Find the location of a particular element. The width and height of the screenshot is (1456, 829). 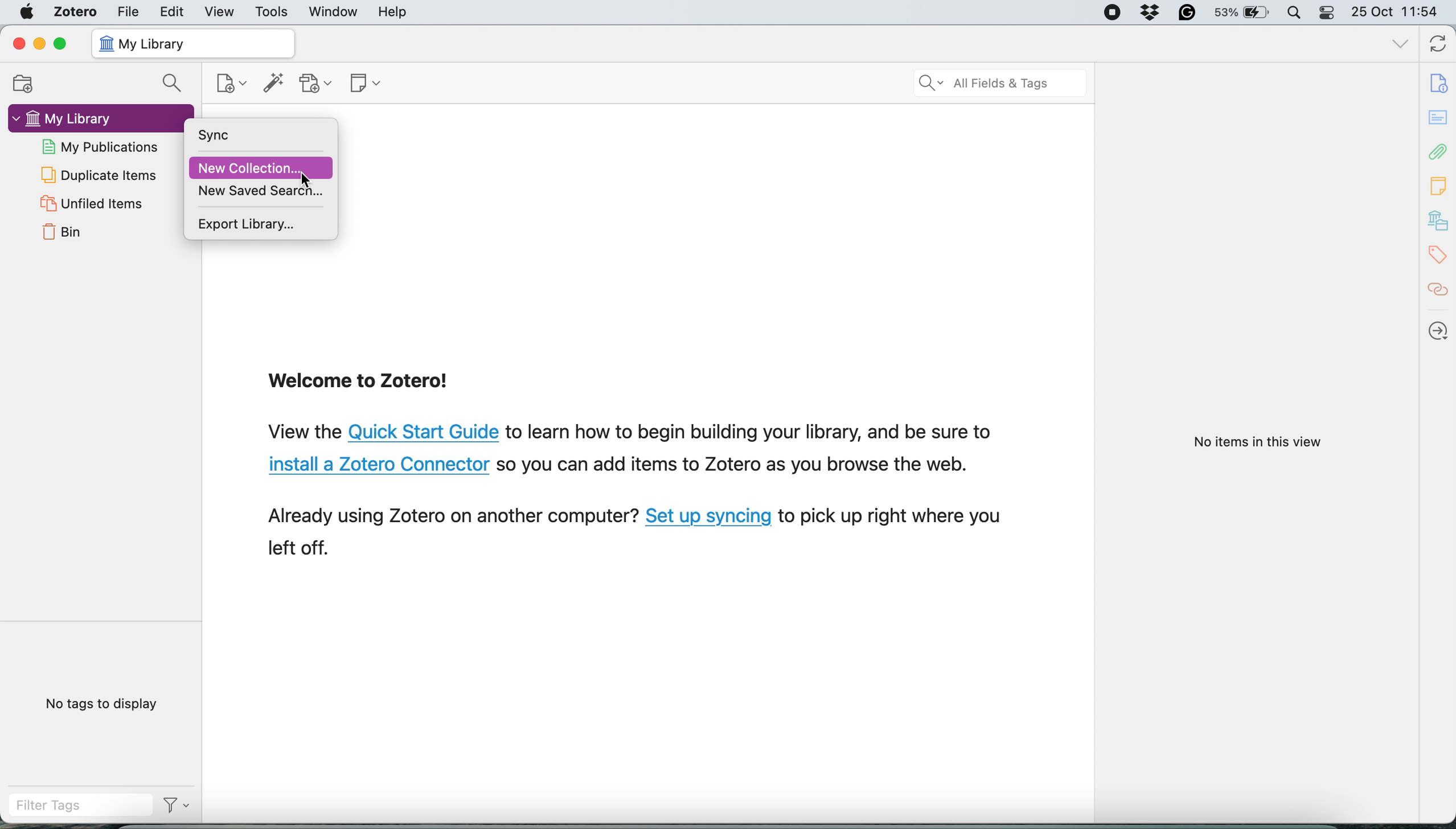

notes is located at coordinates (1439, 186).